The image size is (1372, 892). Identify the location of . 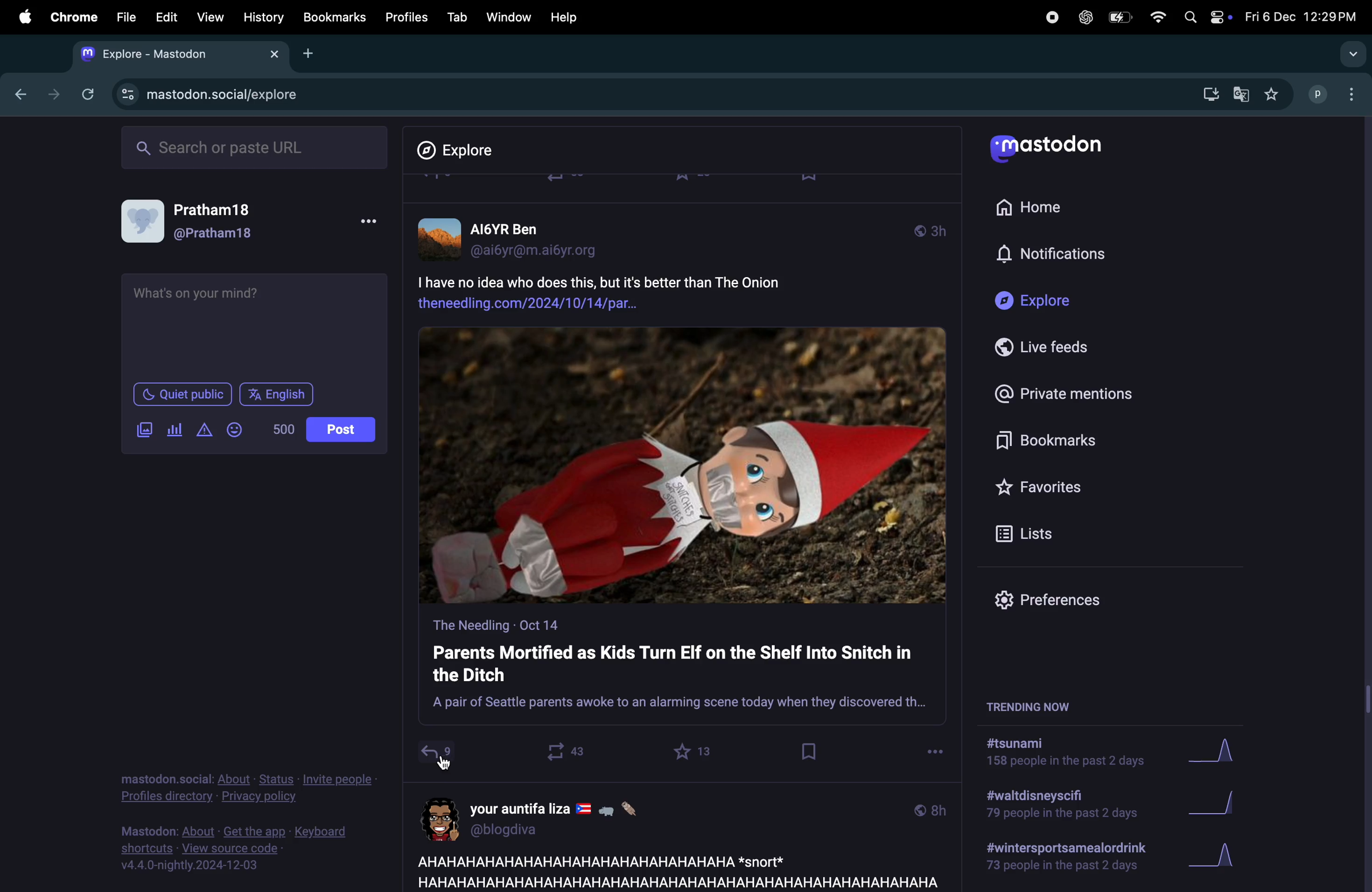
(1363, 504).